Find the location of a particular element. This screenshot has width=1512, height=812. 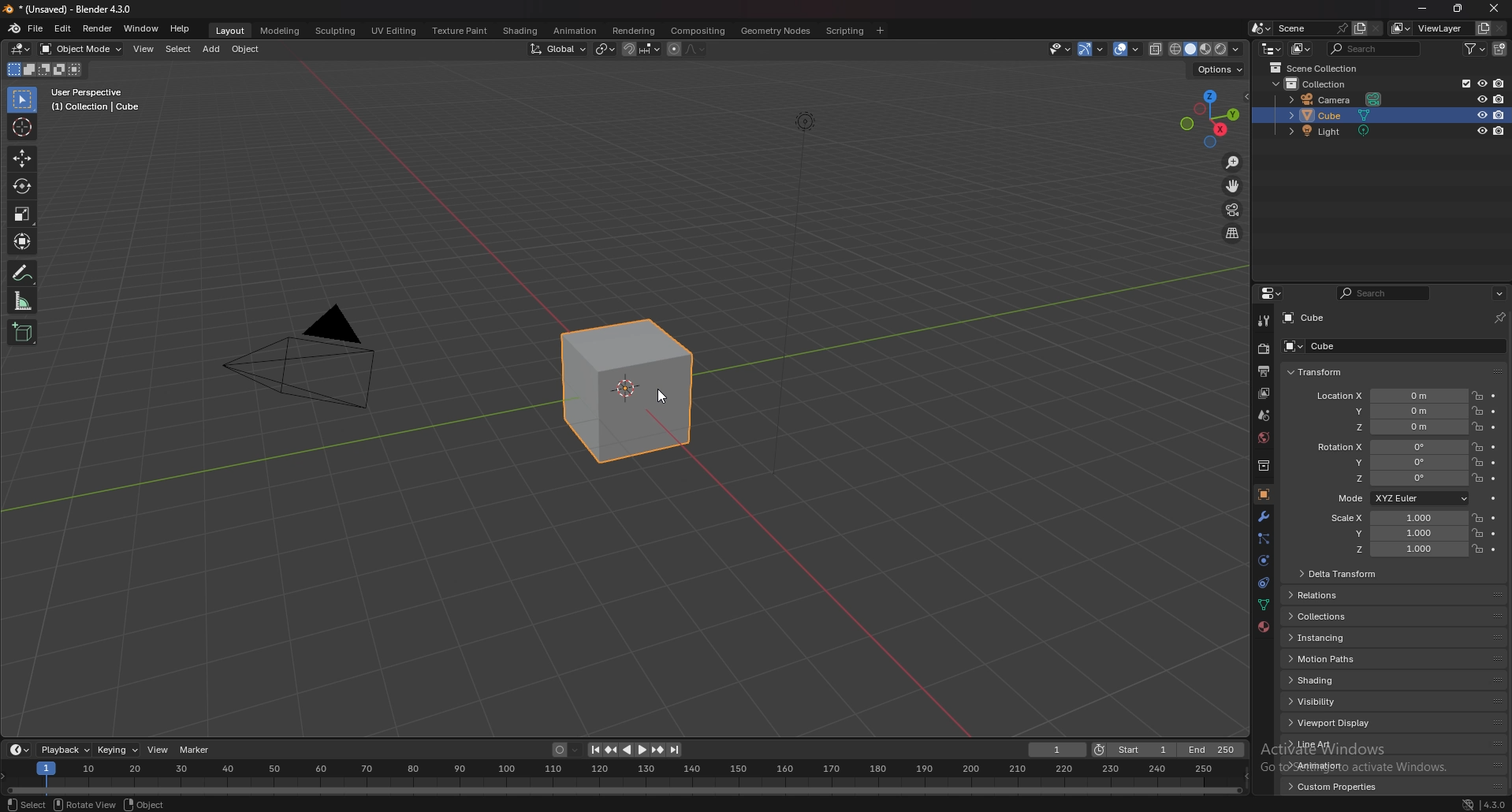

layout is located at coordinates (230, 31).